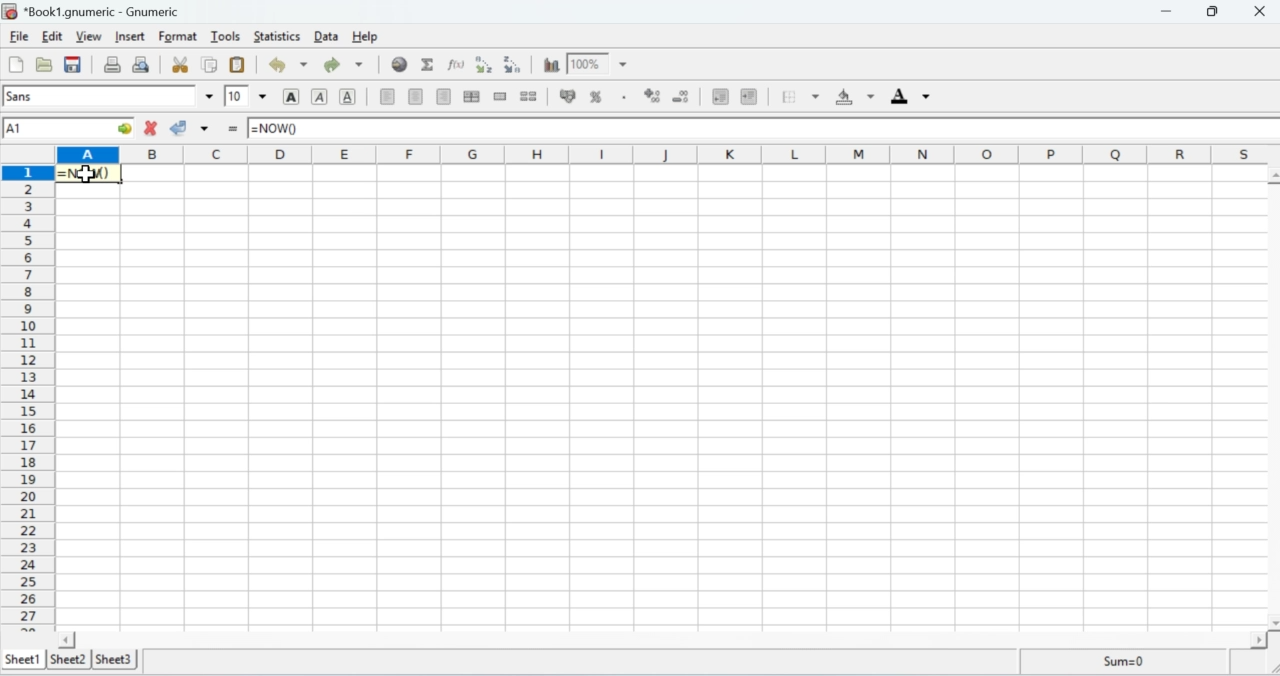 This screenshot has height=676, width=1280. What do you see at coordinates (246, 95) in the screenshot?
I see `Font Size 10` at bounding box center [246, 95].